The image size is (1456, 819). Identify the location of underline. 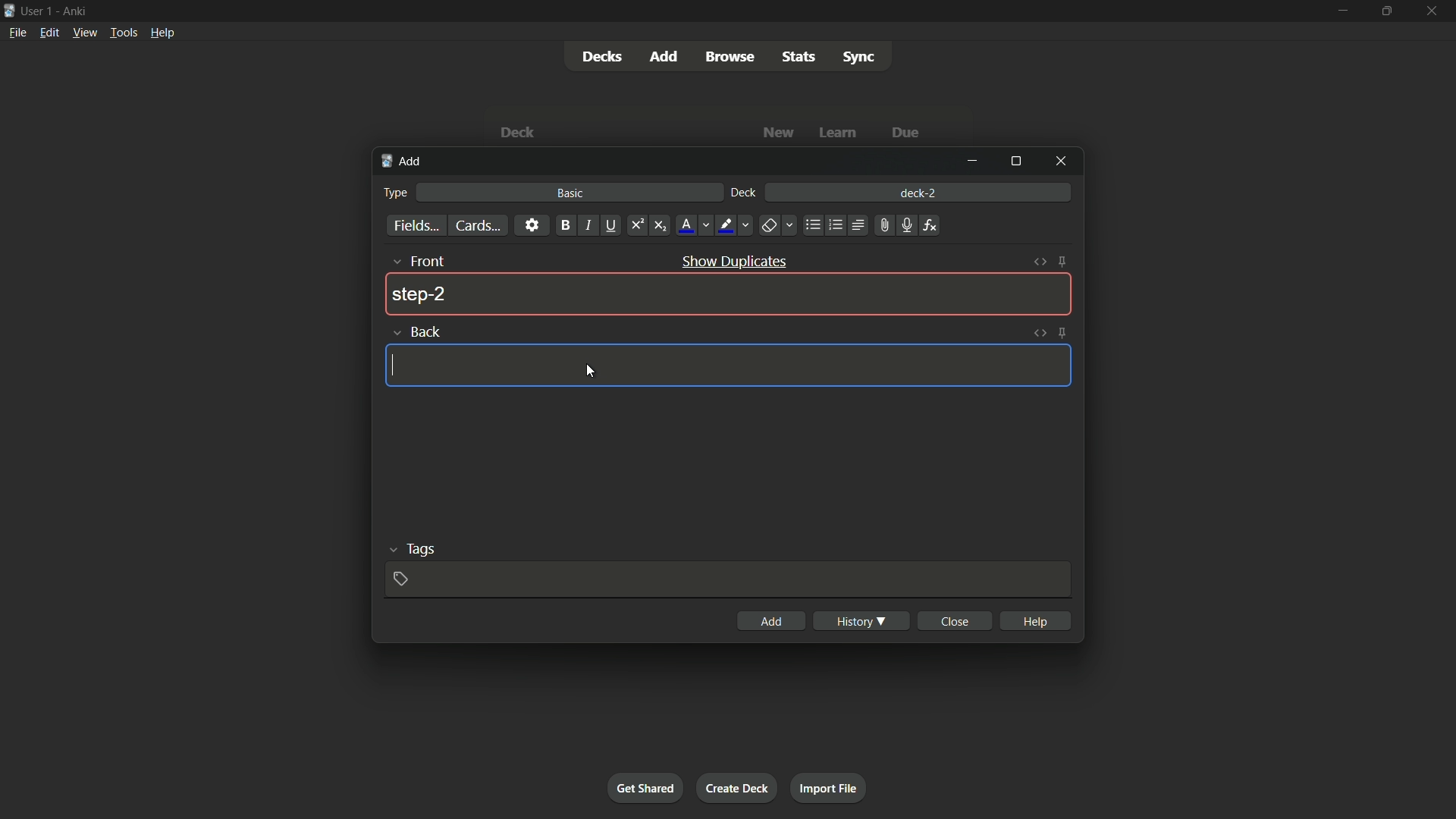
(612, 226).